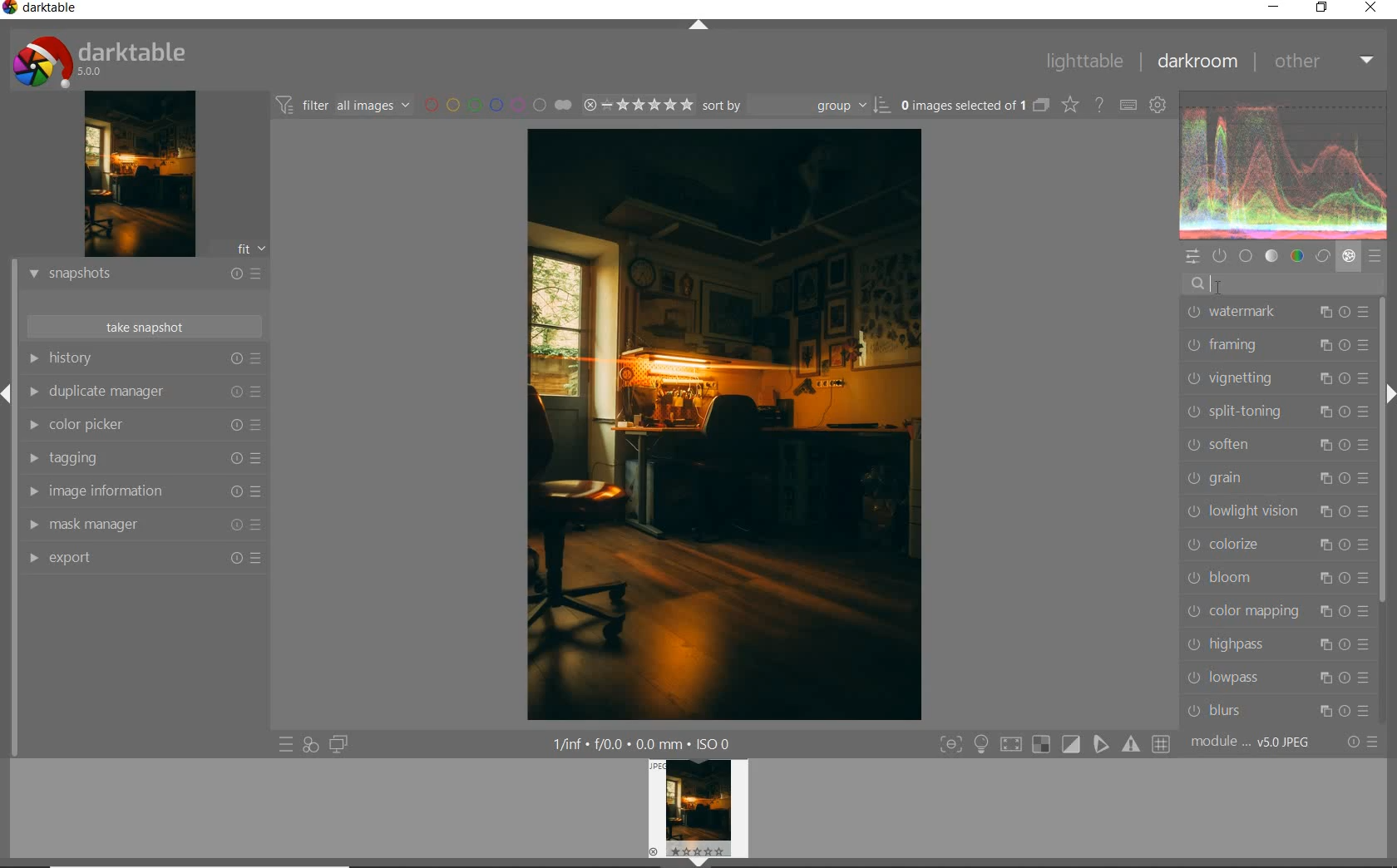  I want to click on scrollbar, so click(1382, 451).